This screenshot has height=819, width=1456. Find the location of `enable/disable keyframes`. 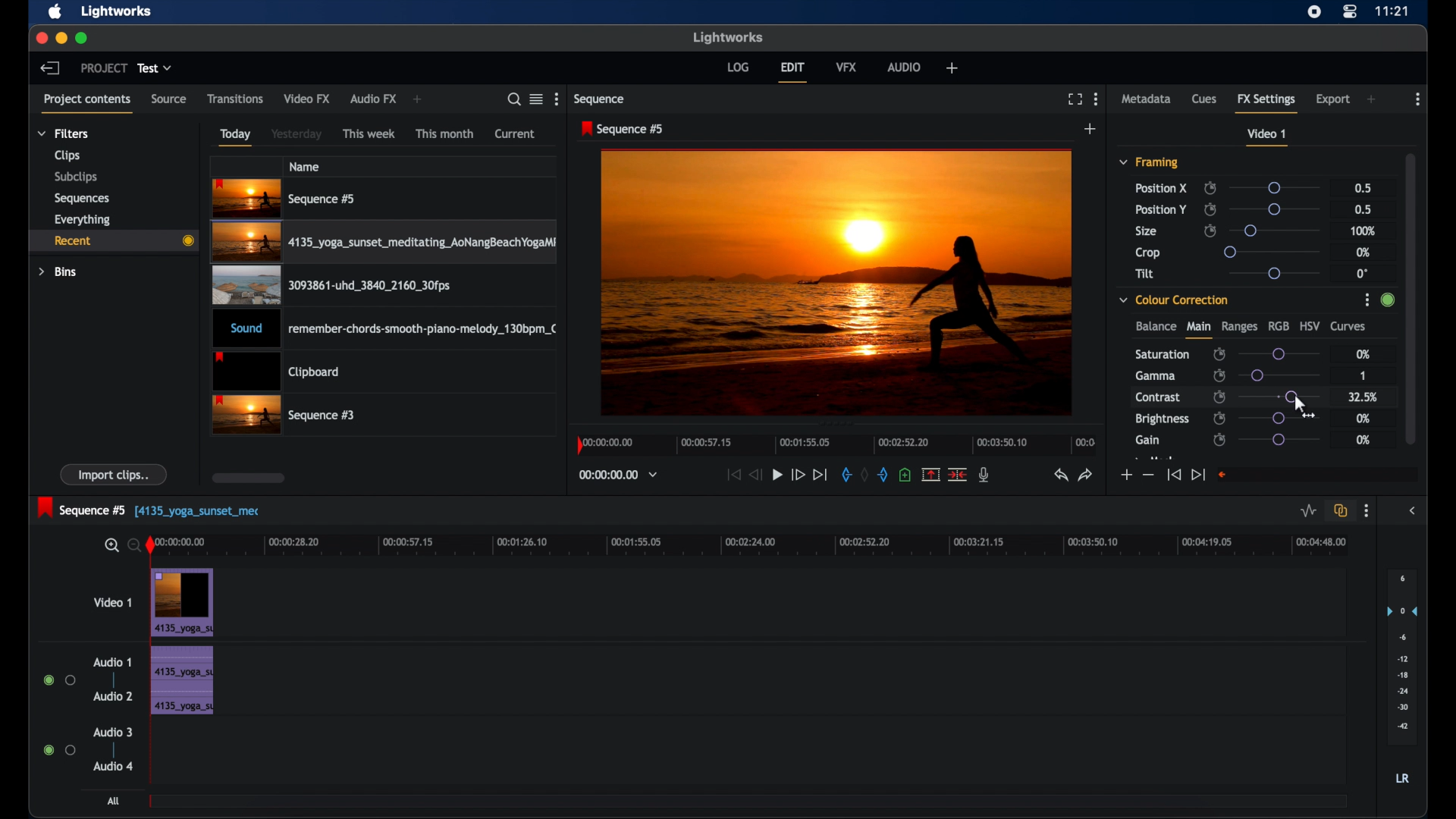

enable/disable keyframes is located at coordinates (1219, 355).